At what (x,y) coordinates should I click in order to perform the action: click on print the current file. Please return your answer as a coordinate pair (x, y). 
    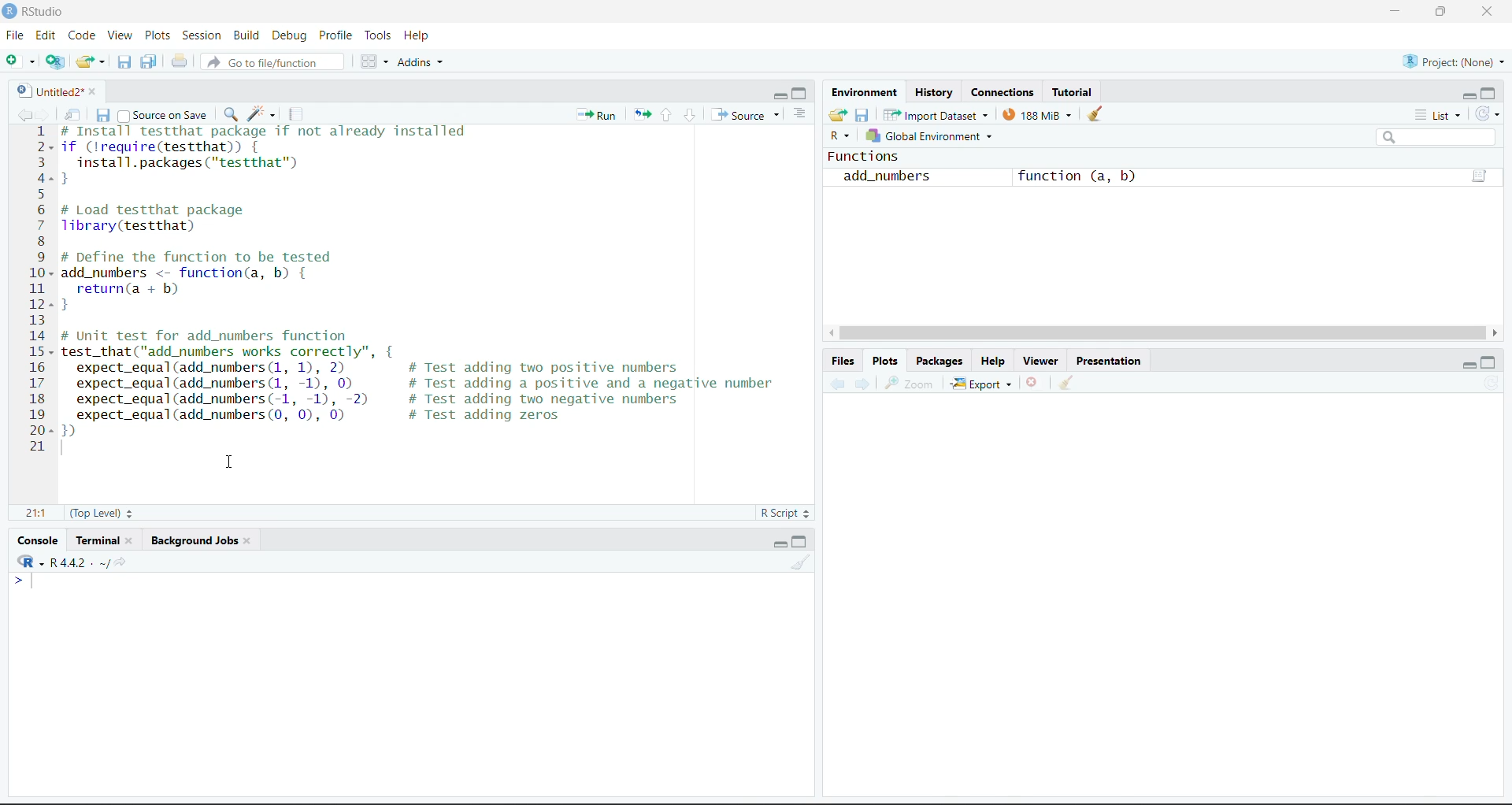
    Looking at the image, I should click on (179, 62).